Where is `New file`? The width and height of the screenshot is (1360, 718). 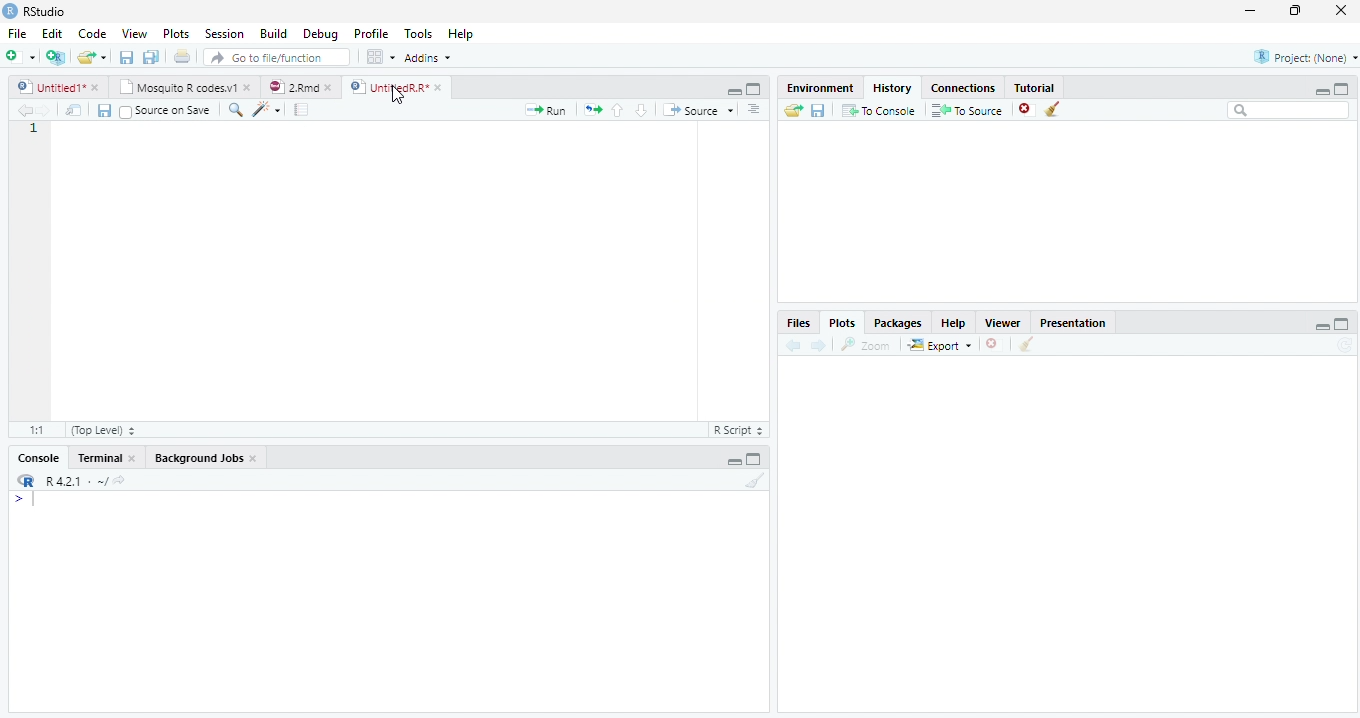 New file is located at coordinates (20, 56).